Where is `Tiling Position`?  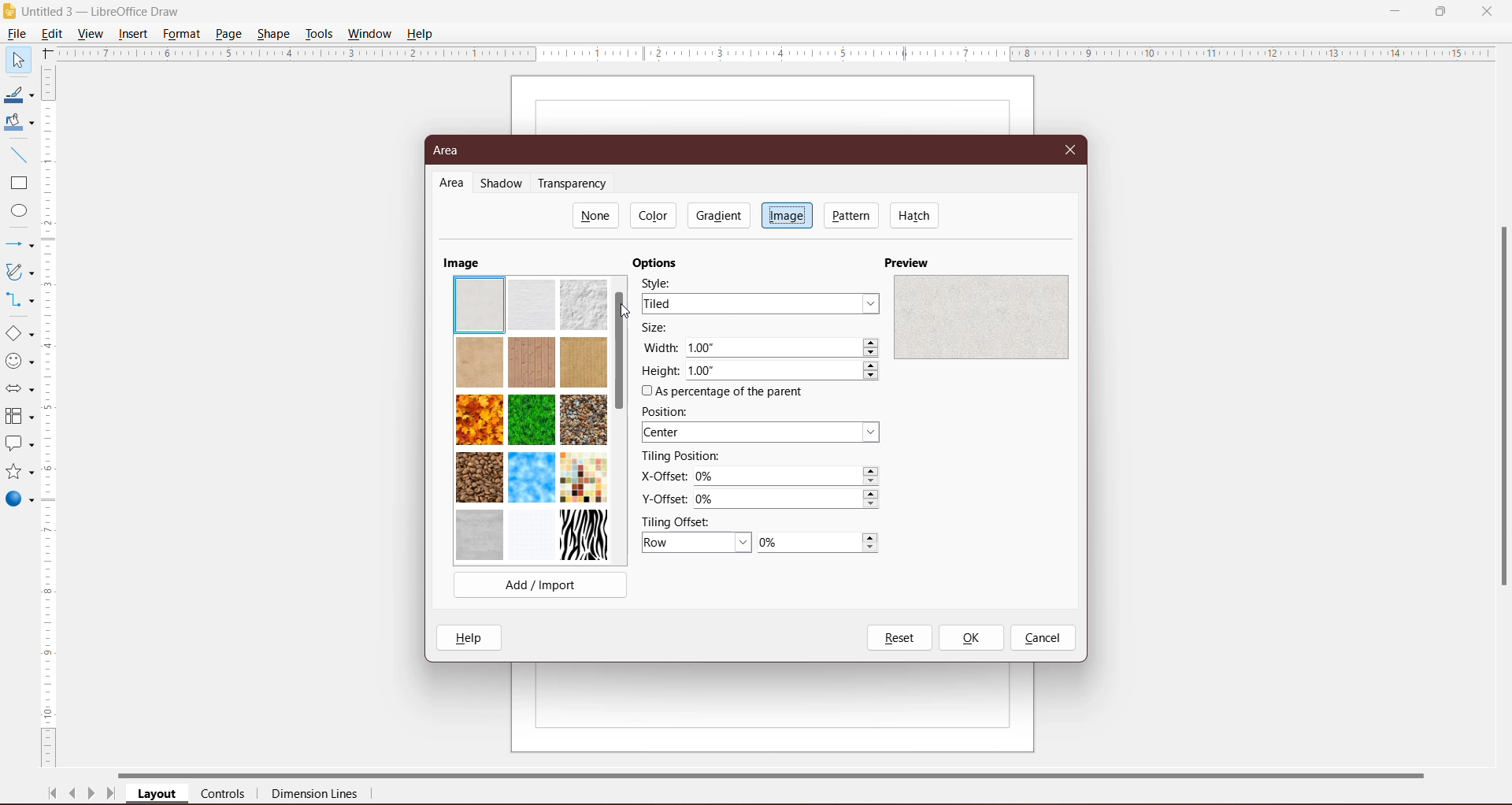
Tiling Position is located at coordinates (681, 456).